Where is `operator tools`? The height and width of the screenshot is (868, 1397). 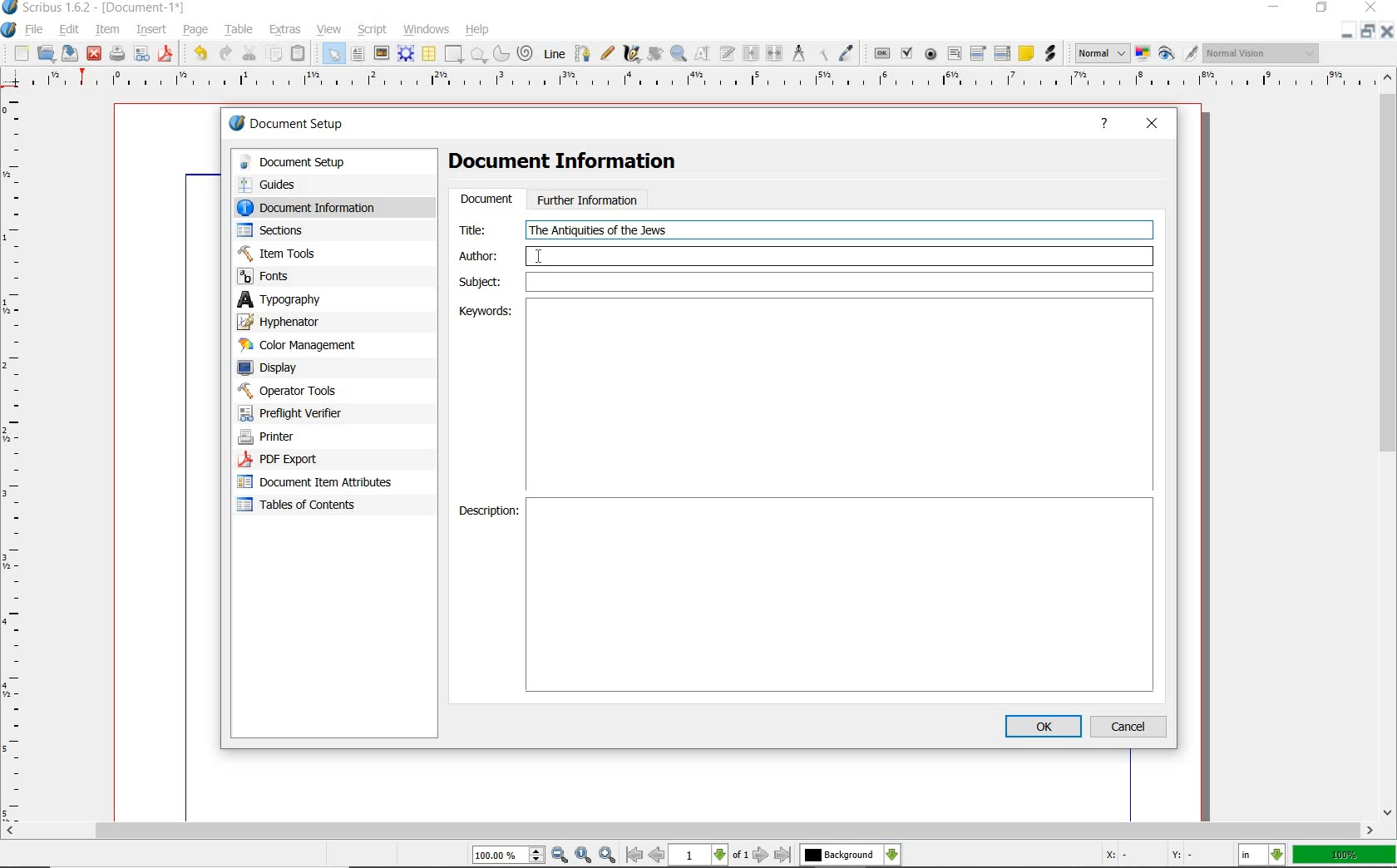 operator tools is located at coordinates (310, 391).